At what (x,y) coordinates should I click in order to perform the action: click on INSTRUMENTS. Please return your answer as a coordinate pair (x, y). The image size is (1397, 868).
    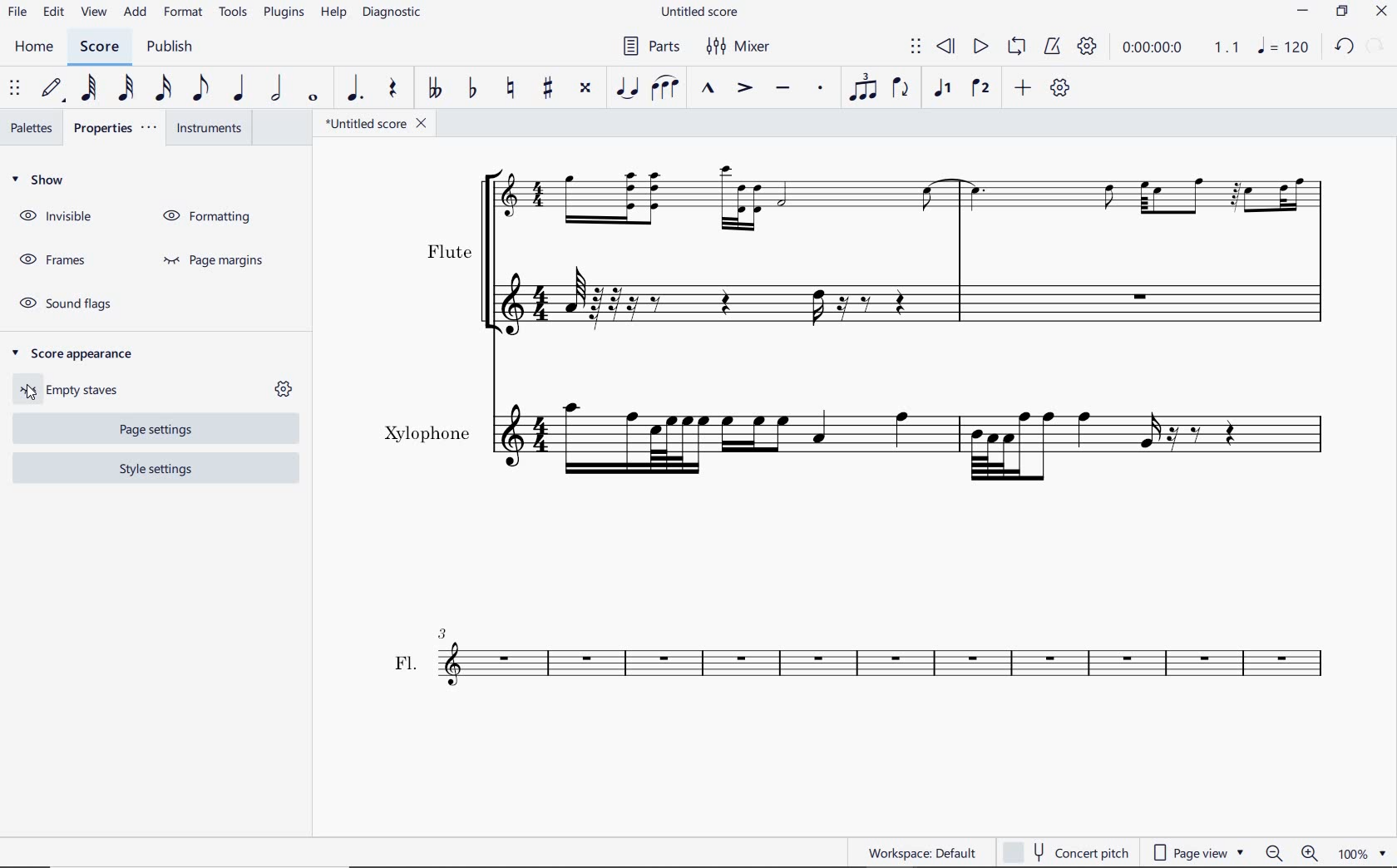
    Looking at the image, I should click on (209, 129).